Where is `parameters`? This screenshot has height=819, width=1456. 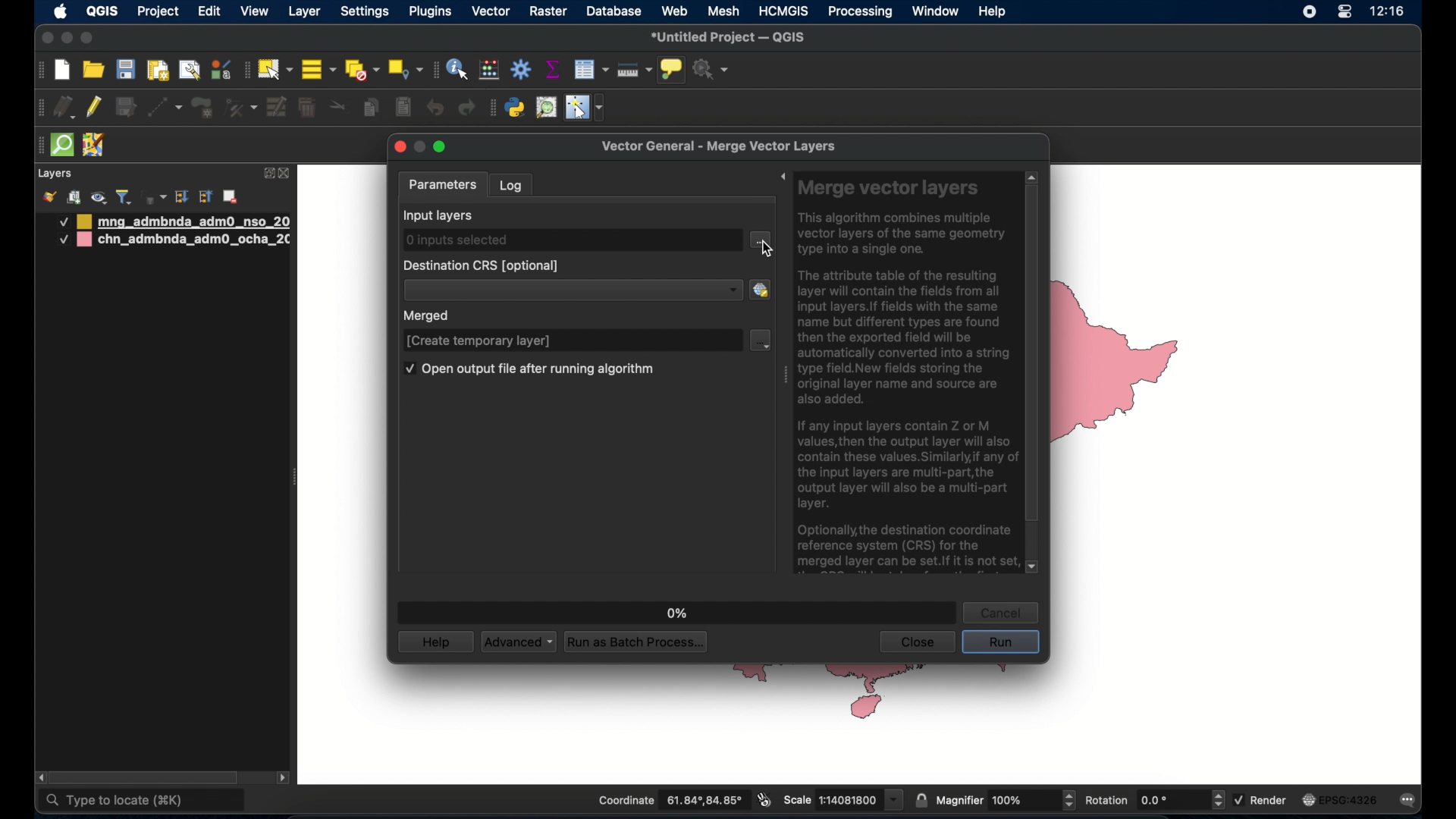
parameters is located at coordinates (443, 184).